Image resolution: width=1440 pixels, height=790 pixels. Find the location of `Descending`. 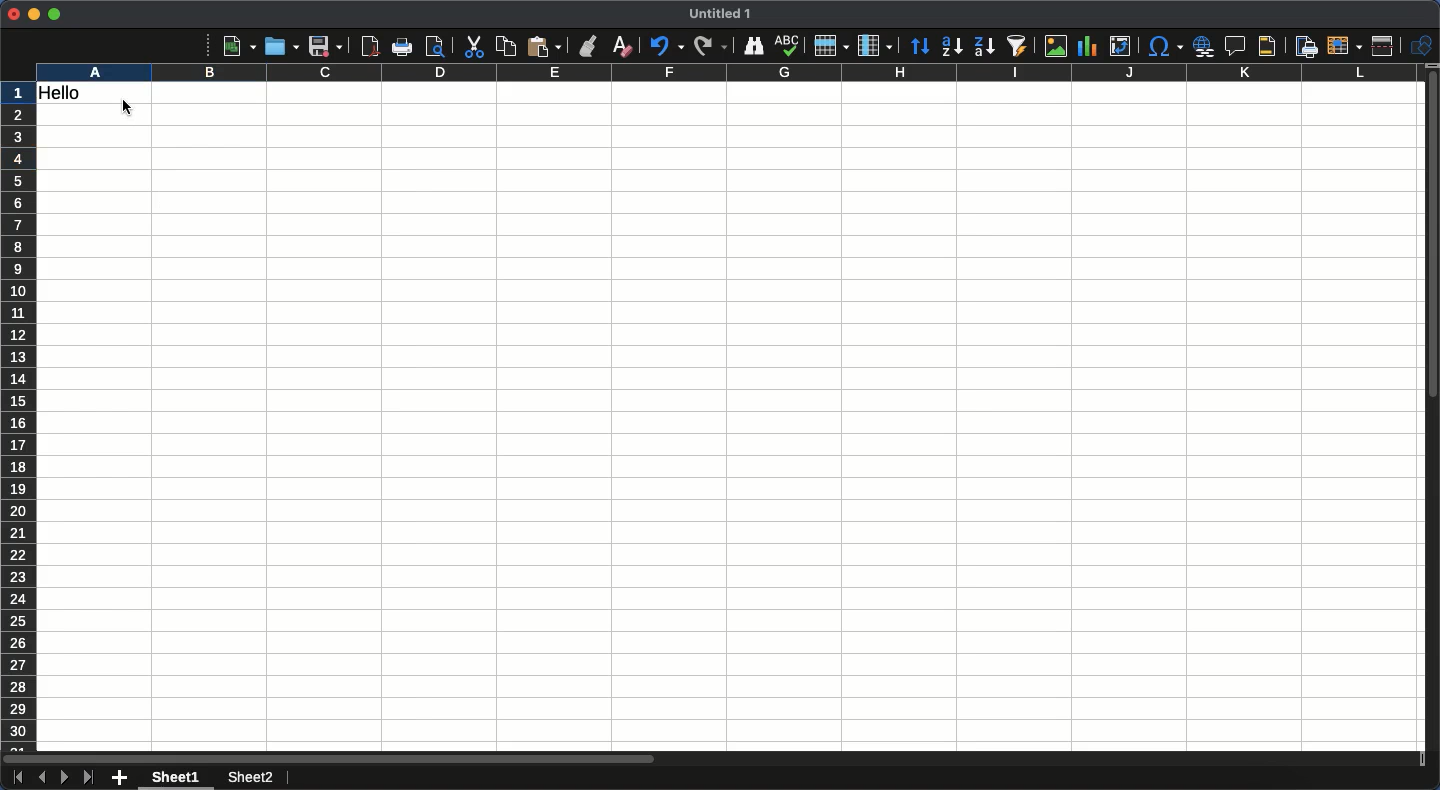

Descending is located at coordinates (983, 47).